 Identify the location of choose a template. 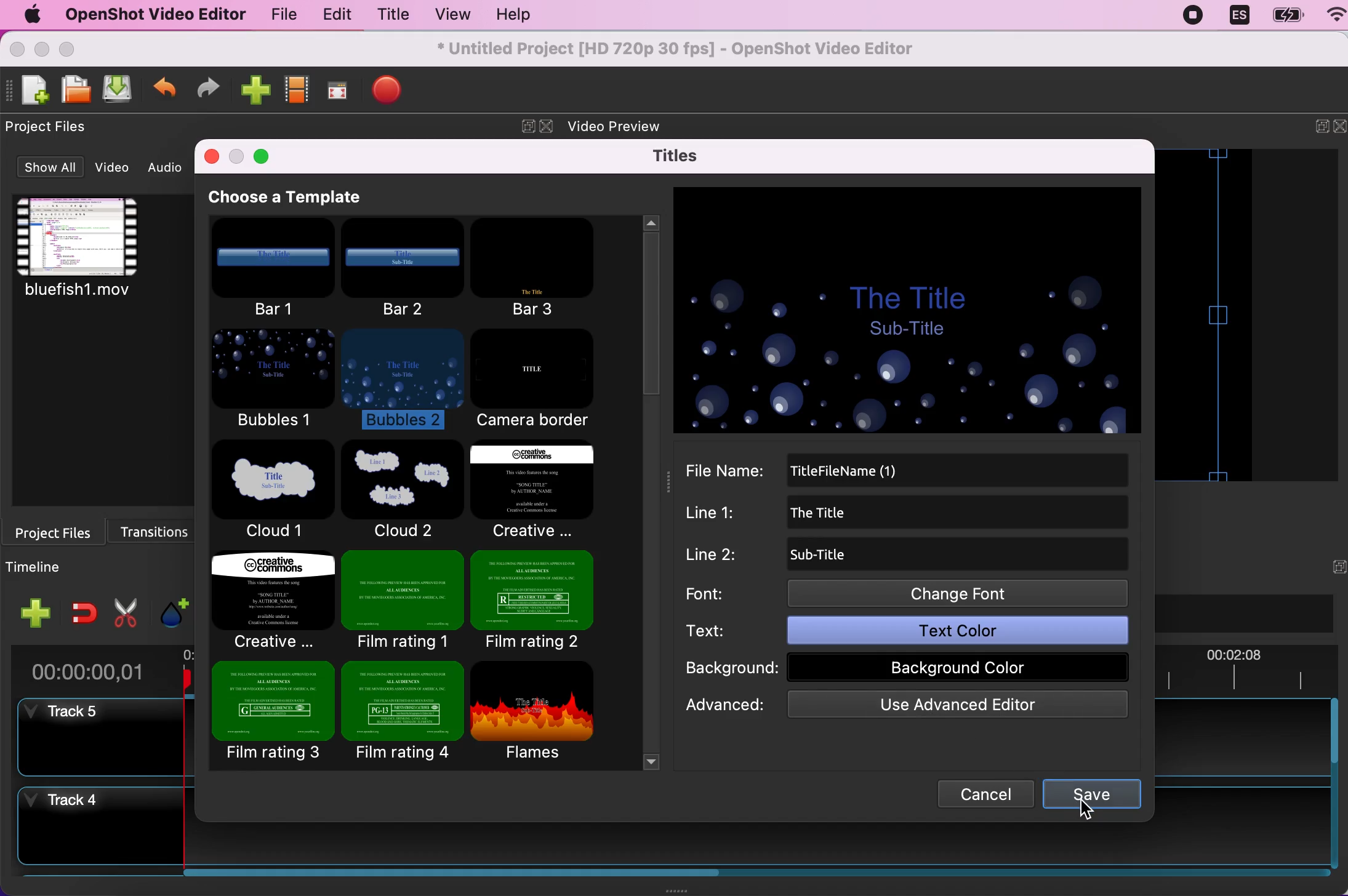
(303, 198).